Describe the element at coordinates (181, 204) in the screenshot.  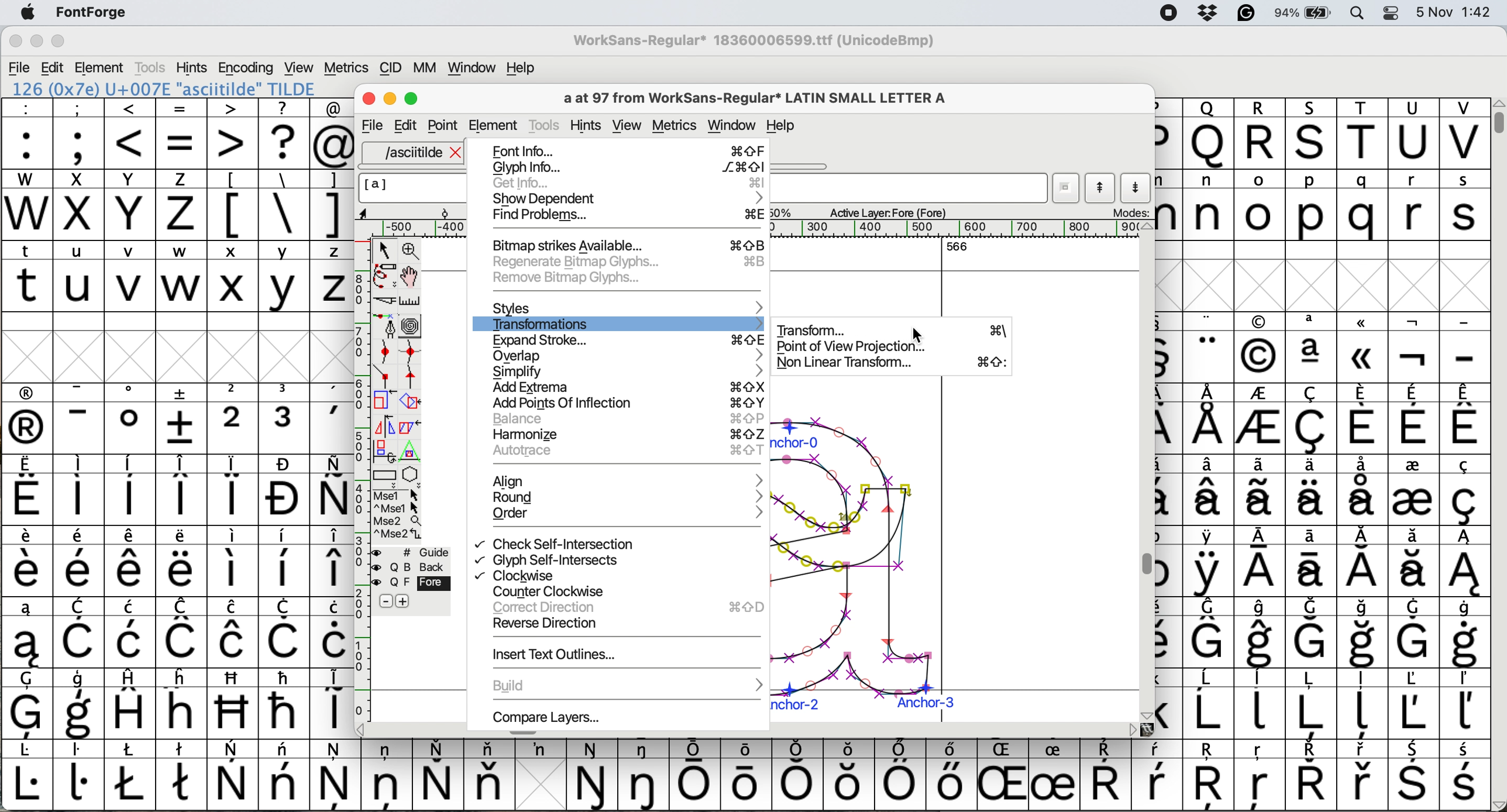
I see `z` at that location.